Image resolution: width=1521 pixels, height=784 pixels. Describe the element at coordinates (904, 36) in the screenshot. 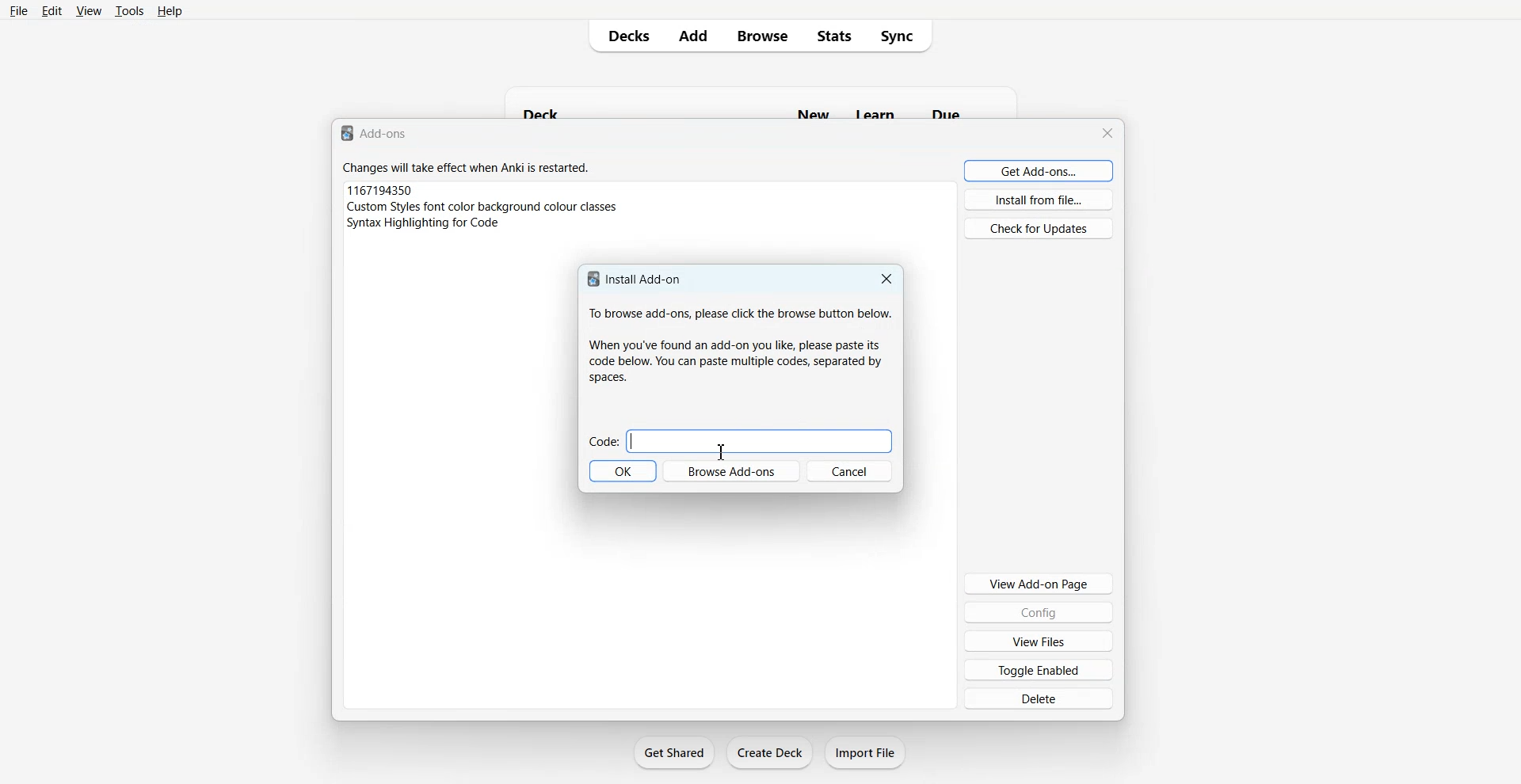

I see `Sync` at that location.